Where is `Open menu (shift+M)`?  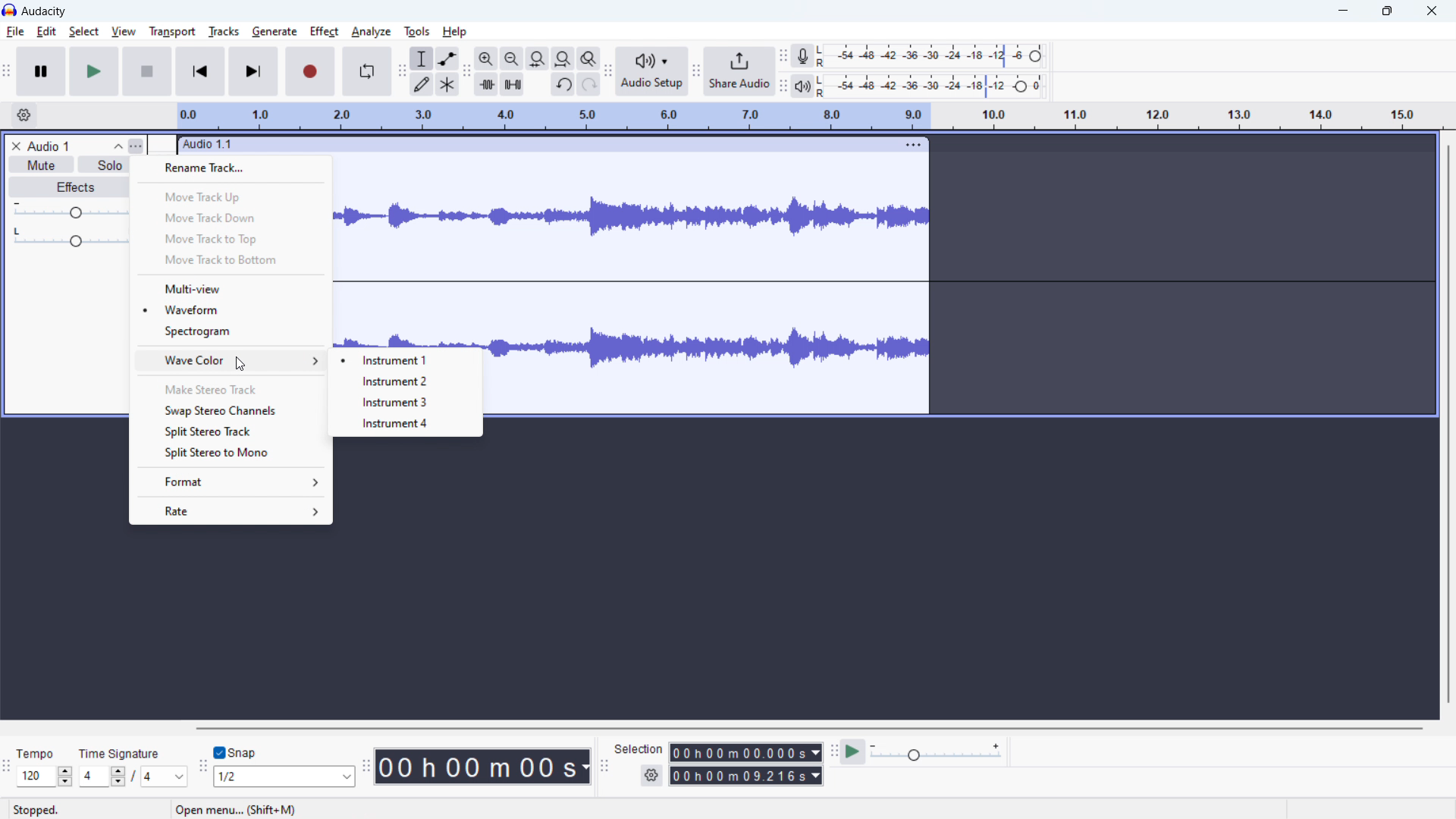 Open menu (shift+M) is located at coordinates (281, 810).